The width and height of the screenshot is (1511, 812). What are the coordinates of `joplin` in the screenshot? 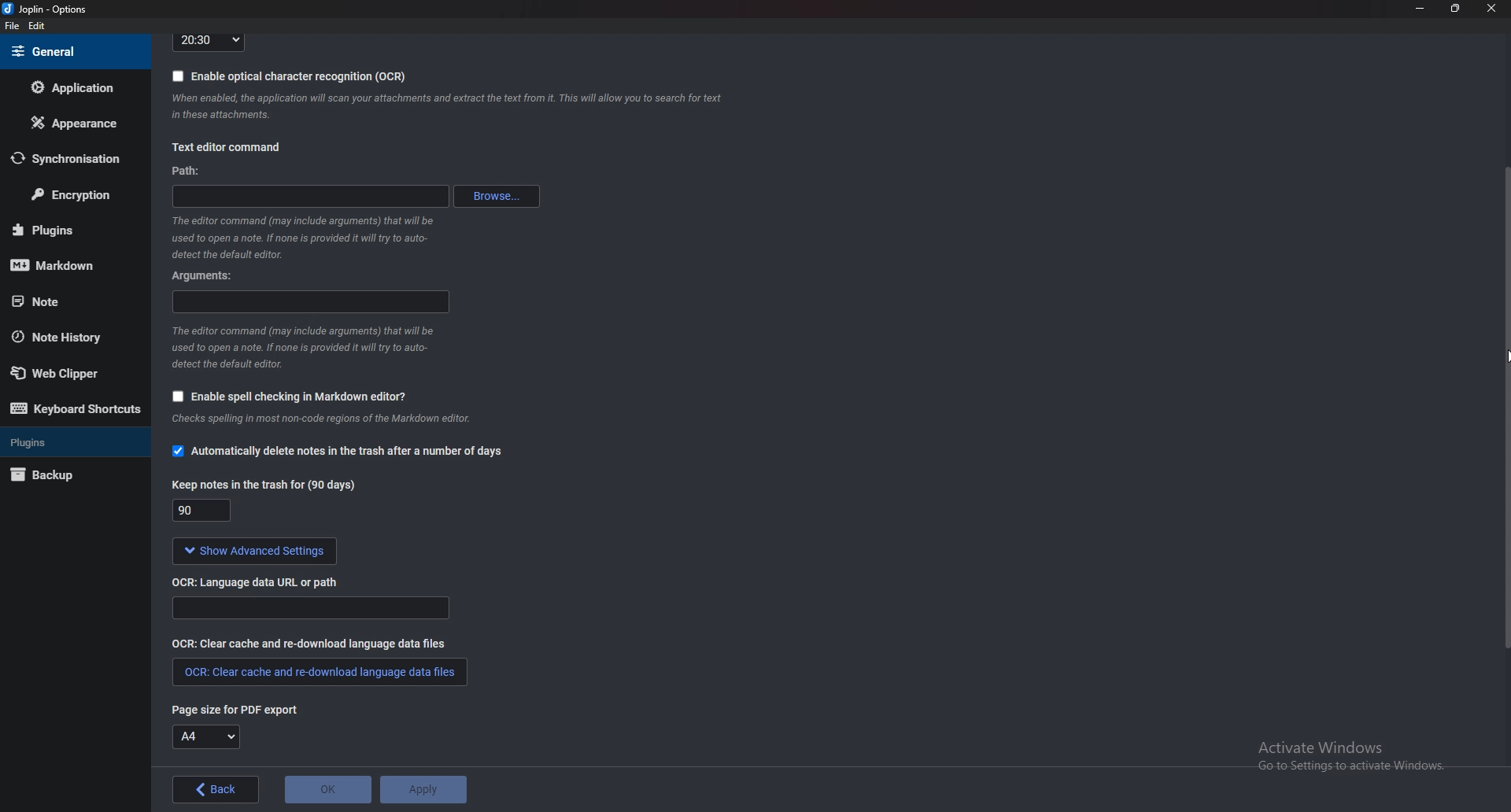 It's located at (48, 10).